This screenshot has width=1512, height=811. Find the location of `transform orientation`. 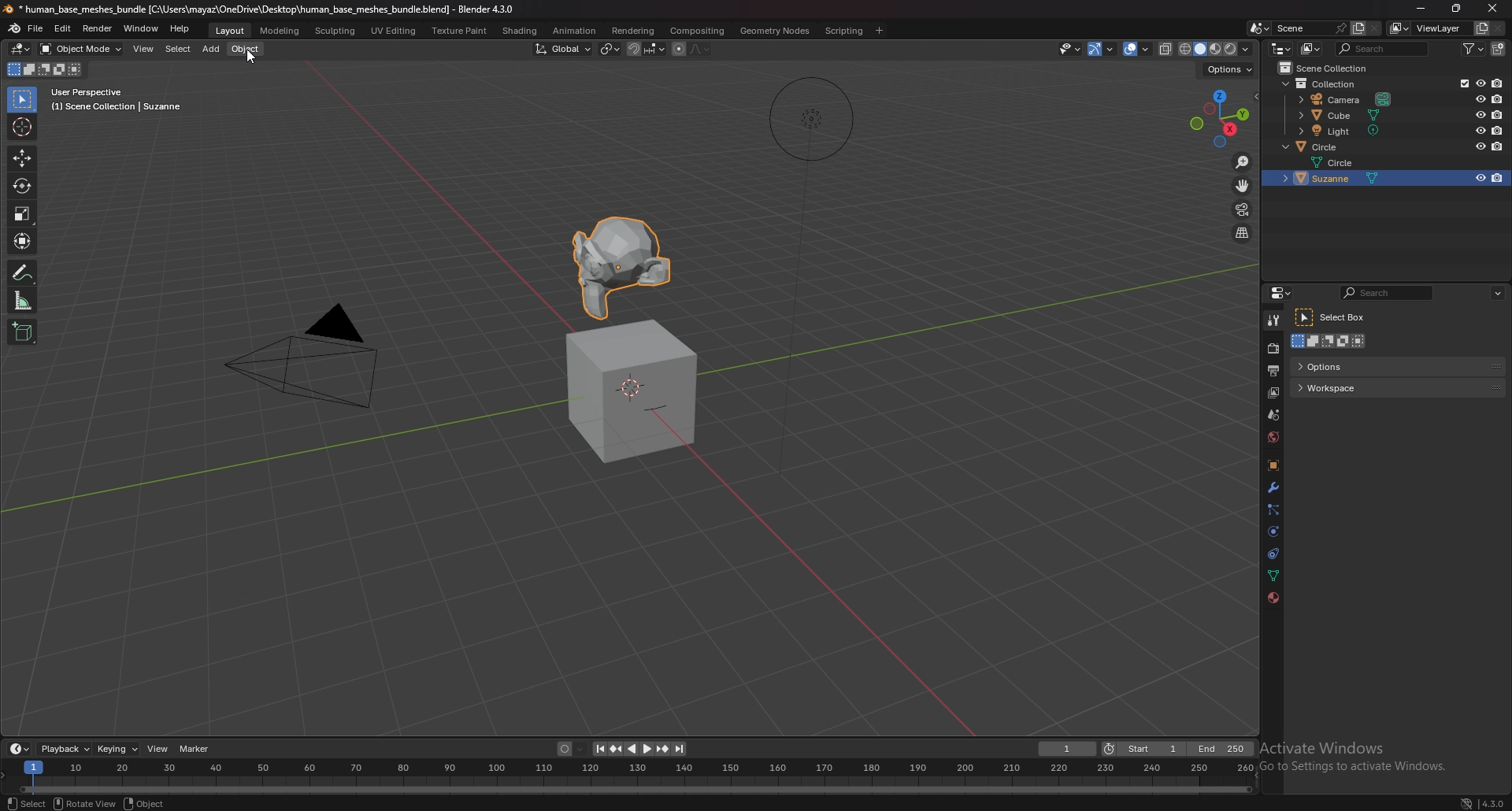

transform orientation is located at coordinates (563, 48).